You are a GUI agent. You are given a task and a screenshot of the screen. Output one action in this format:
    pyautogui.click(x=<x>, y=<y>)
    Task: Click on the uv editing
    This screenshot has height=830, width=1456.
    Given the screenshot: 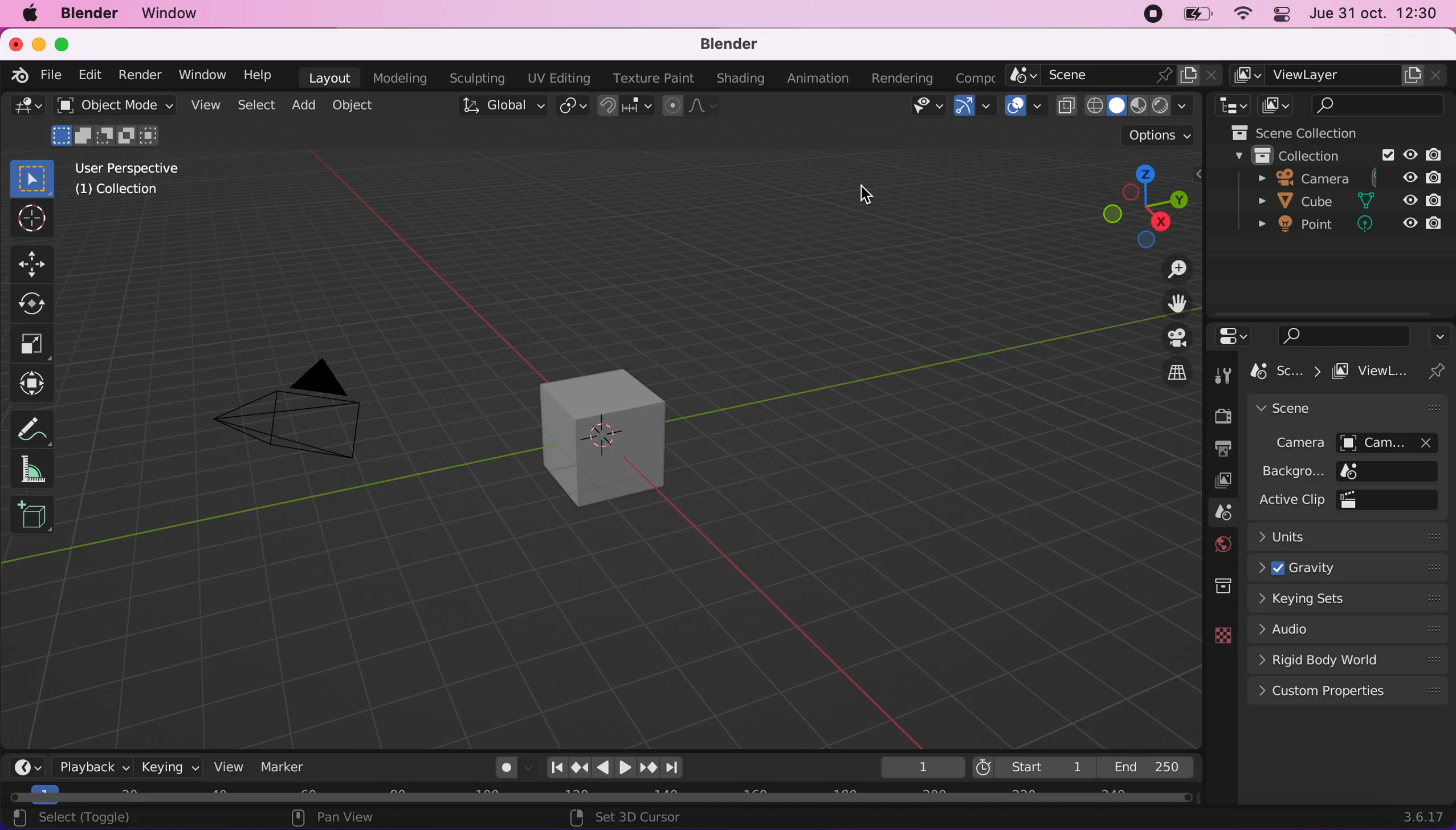 What is the action you would take?
    pyautogui.click(x=560, y=79)
    